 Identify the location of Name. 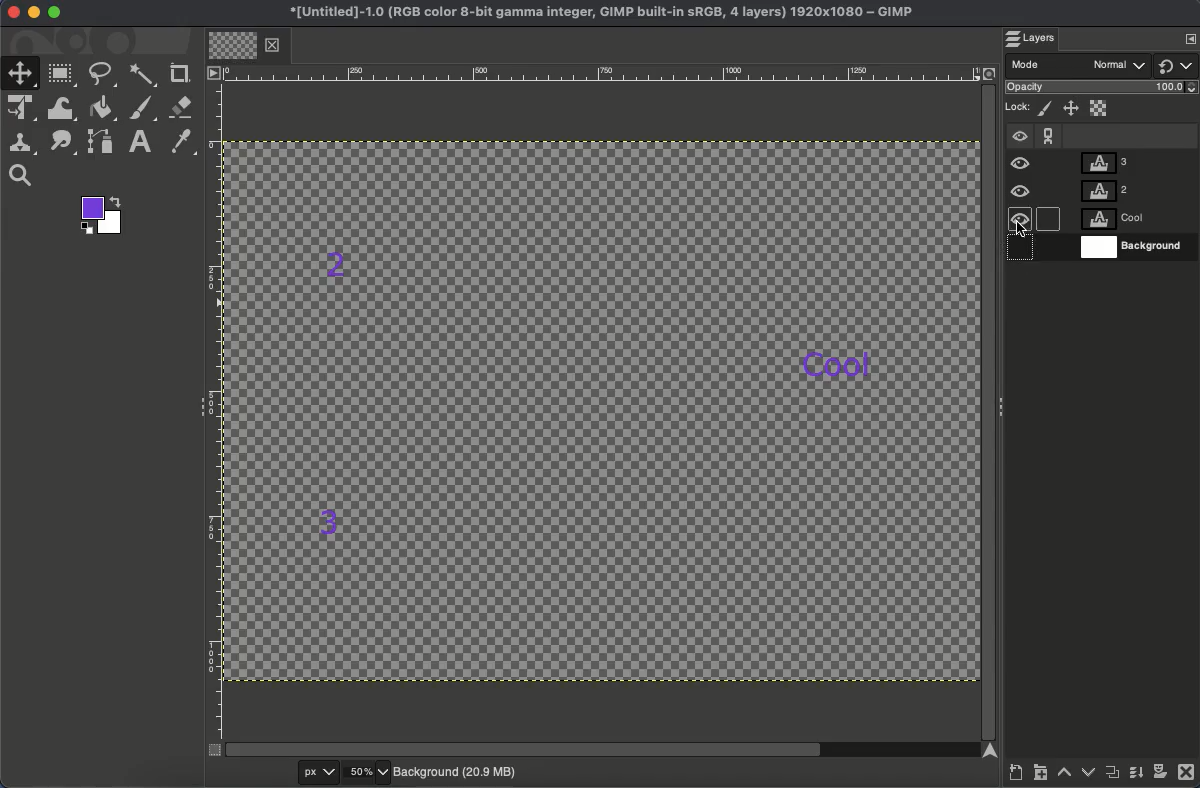
(597, 14).